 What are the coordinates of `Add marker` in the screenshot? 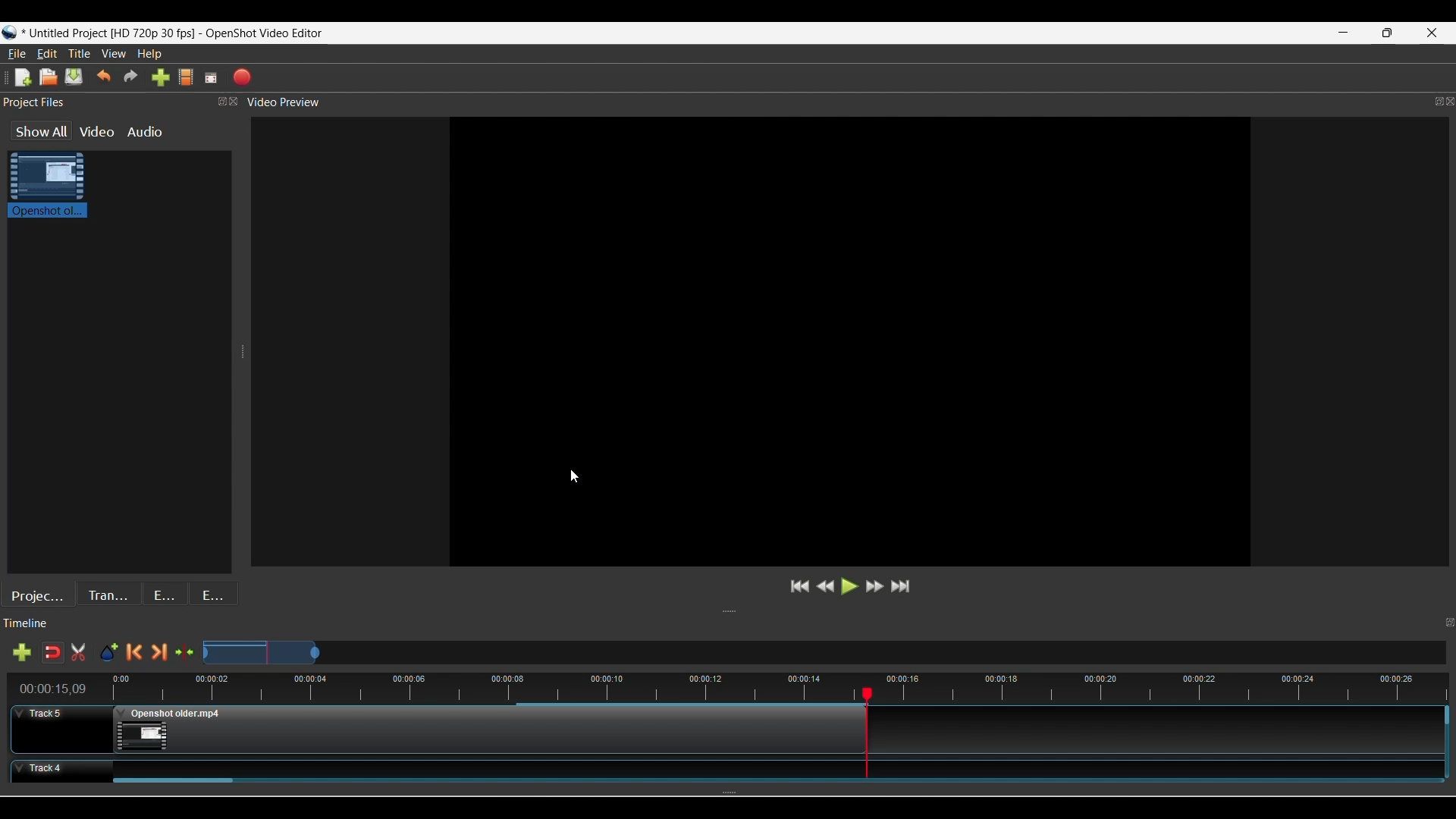 It's located at (108, 653).